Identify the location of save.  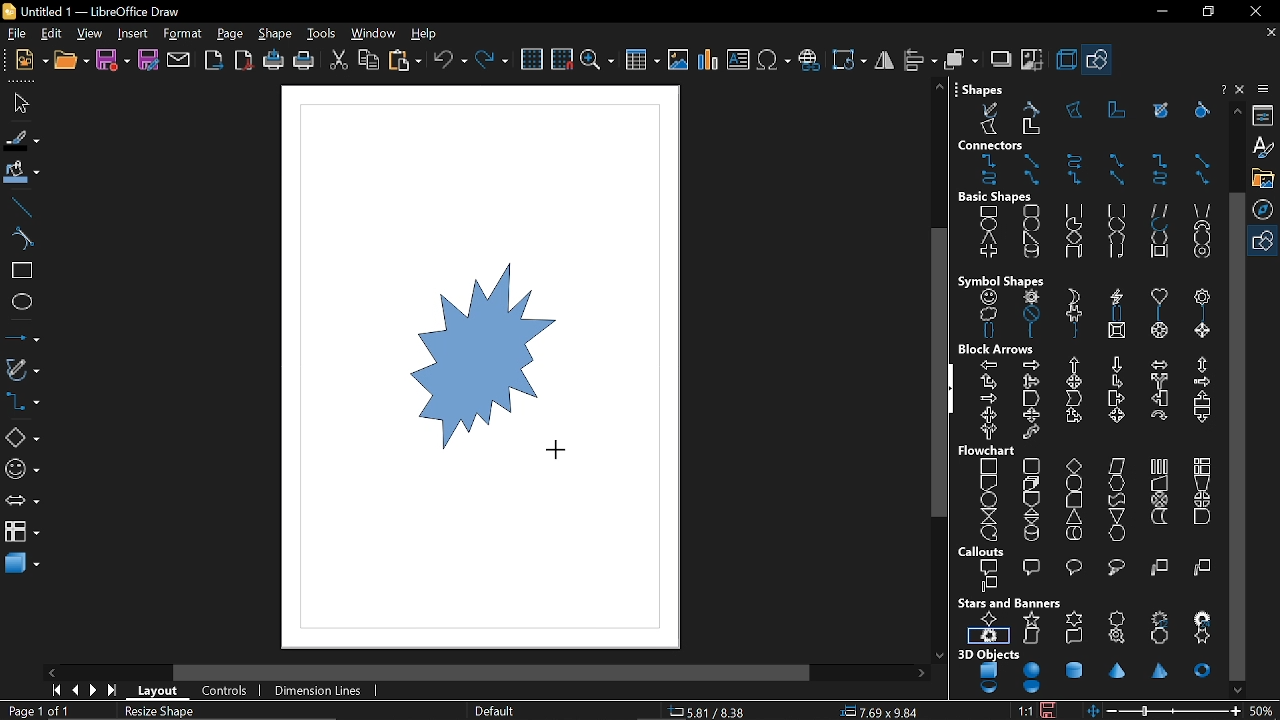
(1054, 710).